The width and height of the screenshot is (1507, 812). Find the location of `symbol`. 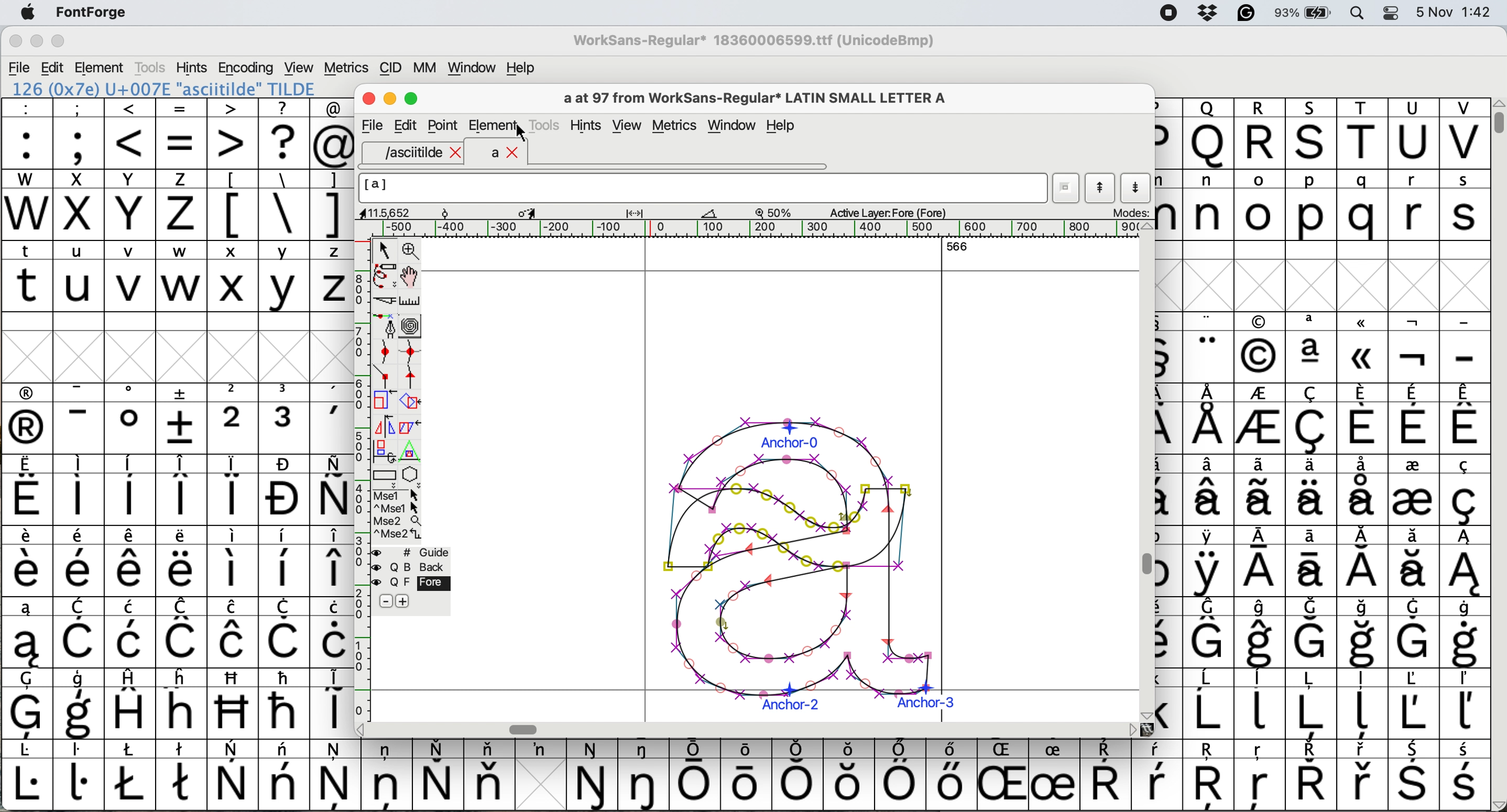

symbol is located at coordinates (1210, 419).